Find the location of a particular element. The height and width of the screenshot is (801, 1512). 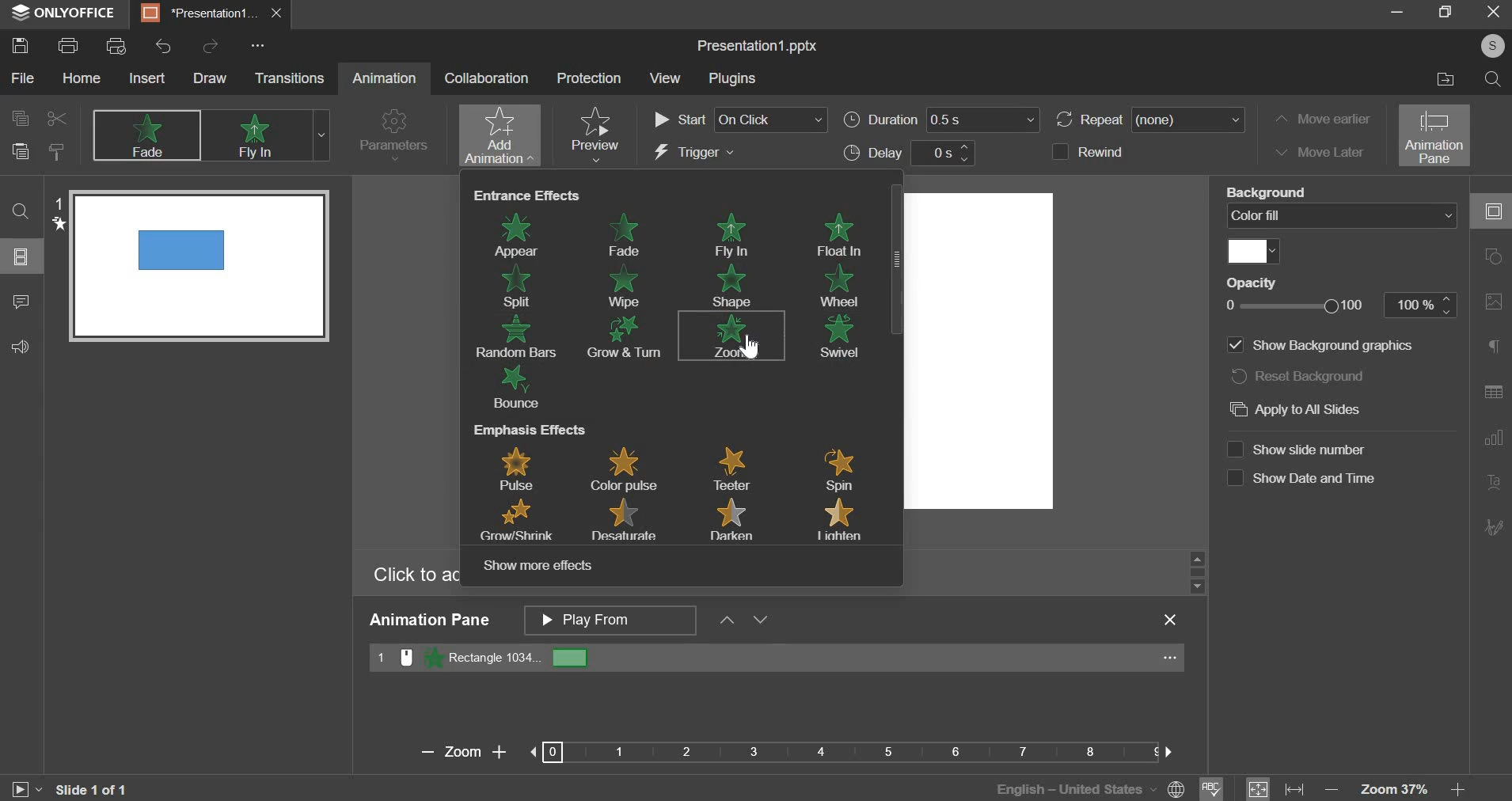

file is located at coordinates (22, 78).